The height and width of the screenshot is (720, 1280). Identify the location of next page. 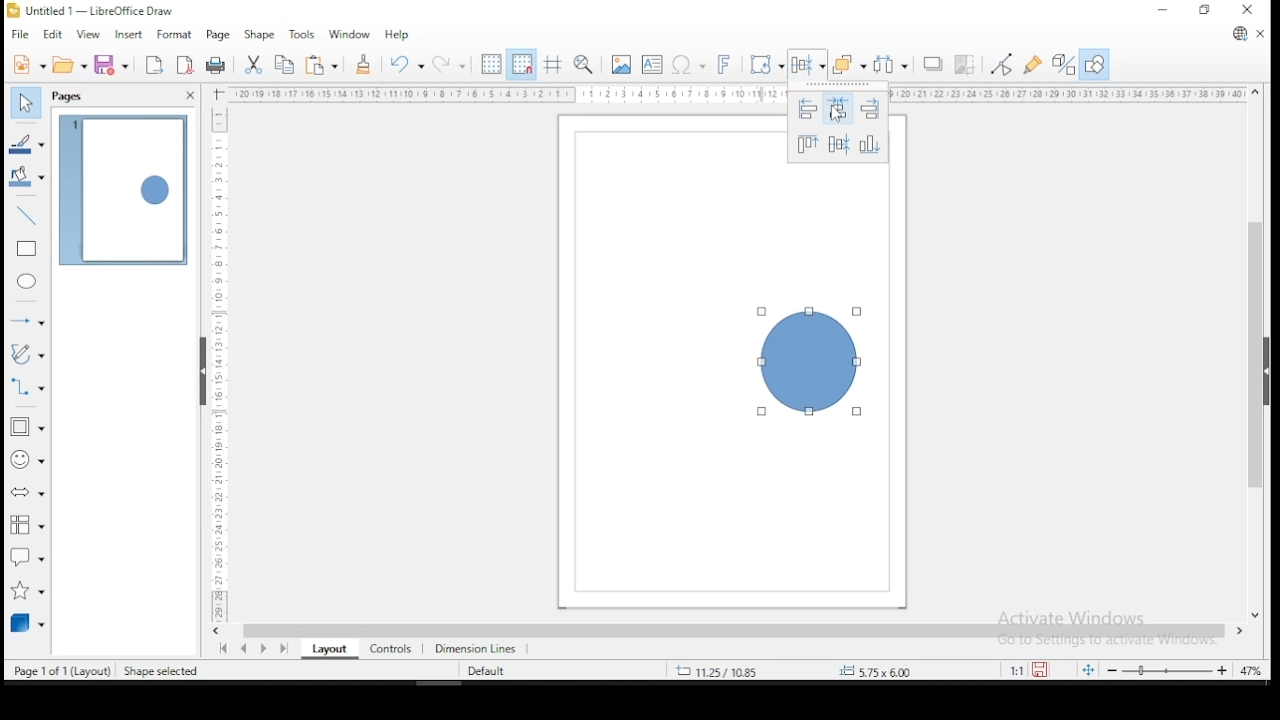
(268, 648).